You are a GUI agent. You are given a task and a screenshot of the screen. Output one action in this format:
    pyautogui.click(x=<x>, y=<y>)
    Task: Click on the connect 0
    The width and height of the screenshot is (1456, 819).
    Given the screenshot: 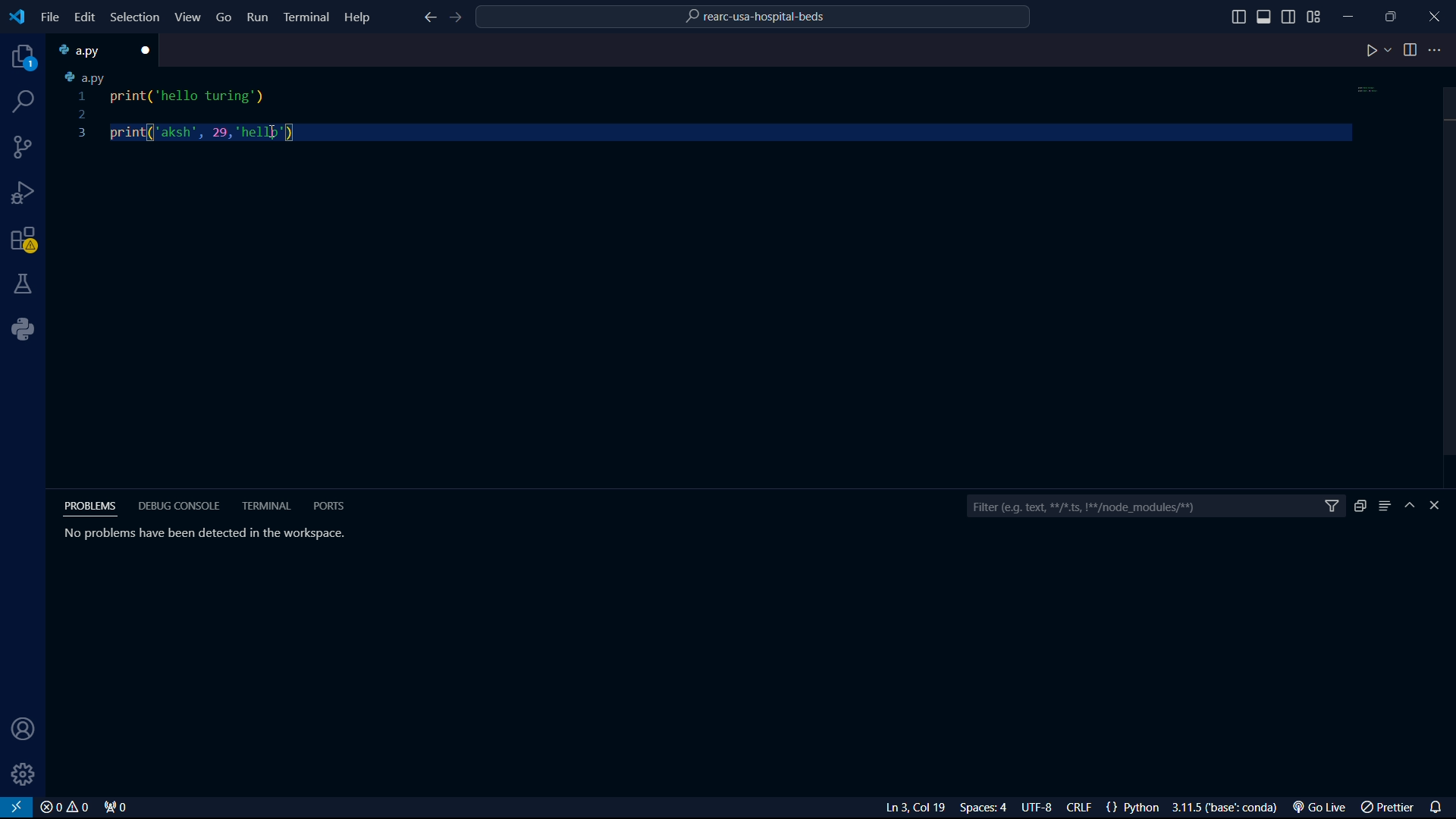 What is the action you would take?
    pyautogui.click(x=118, y=808)
    